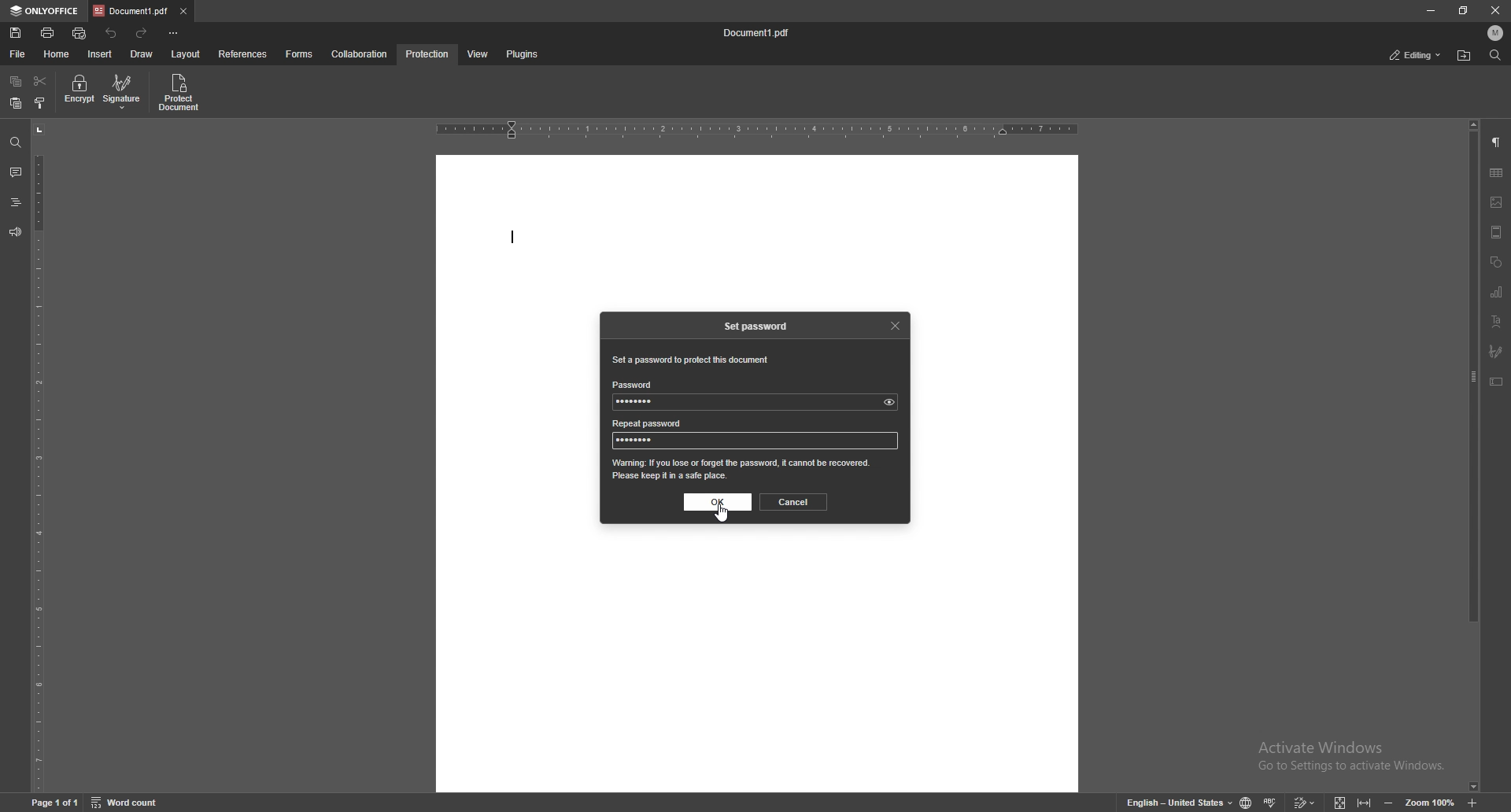  Describe the element at coordinates (1497, 350) in the screenshot. I see `signature field` at that location.